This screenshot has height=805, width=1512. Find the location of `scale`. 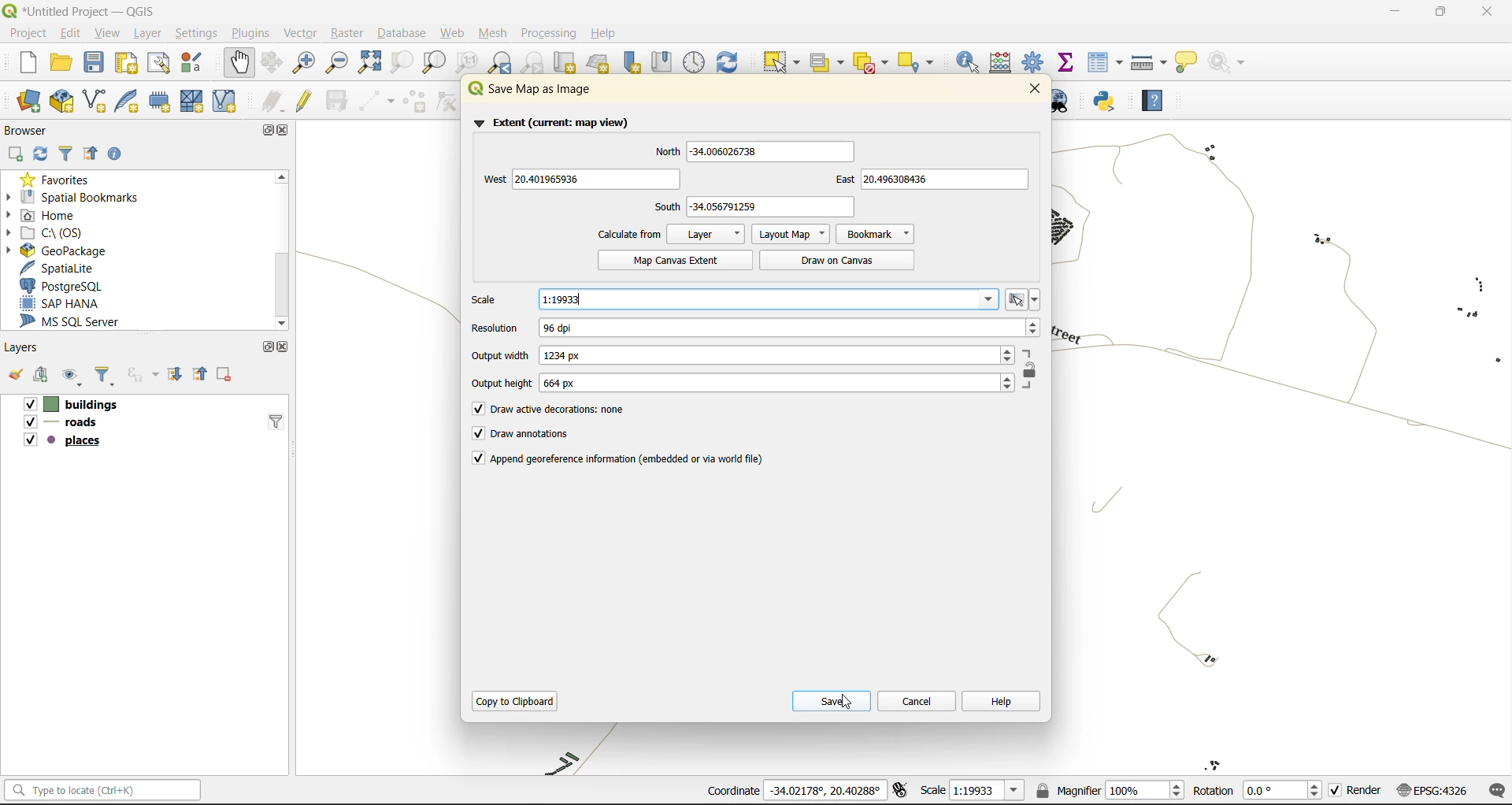

scale is located at coordinates (756, 299).